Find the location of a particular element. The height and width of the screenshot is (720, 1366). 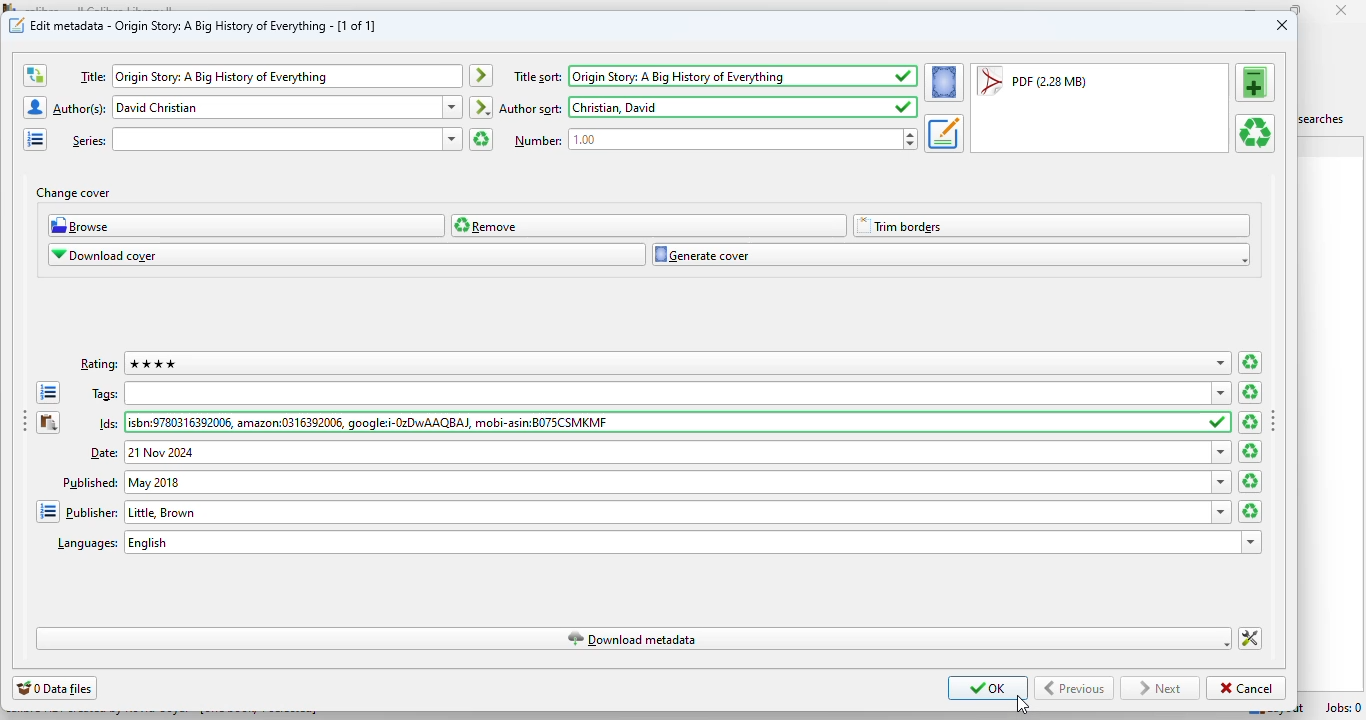

saved is located at coordinates (904, 107).